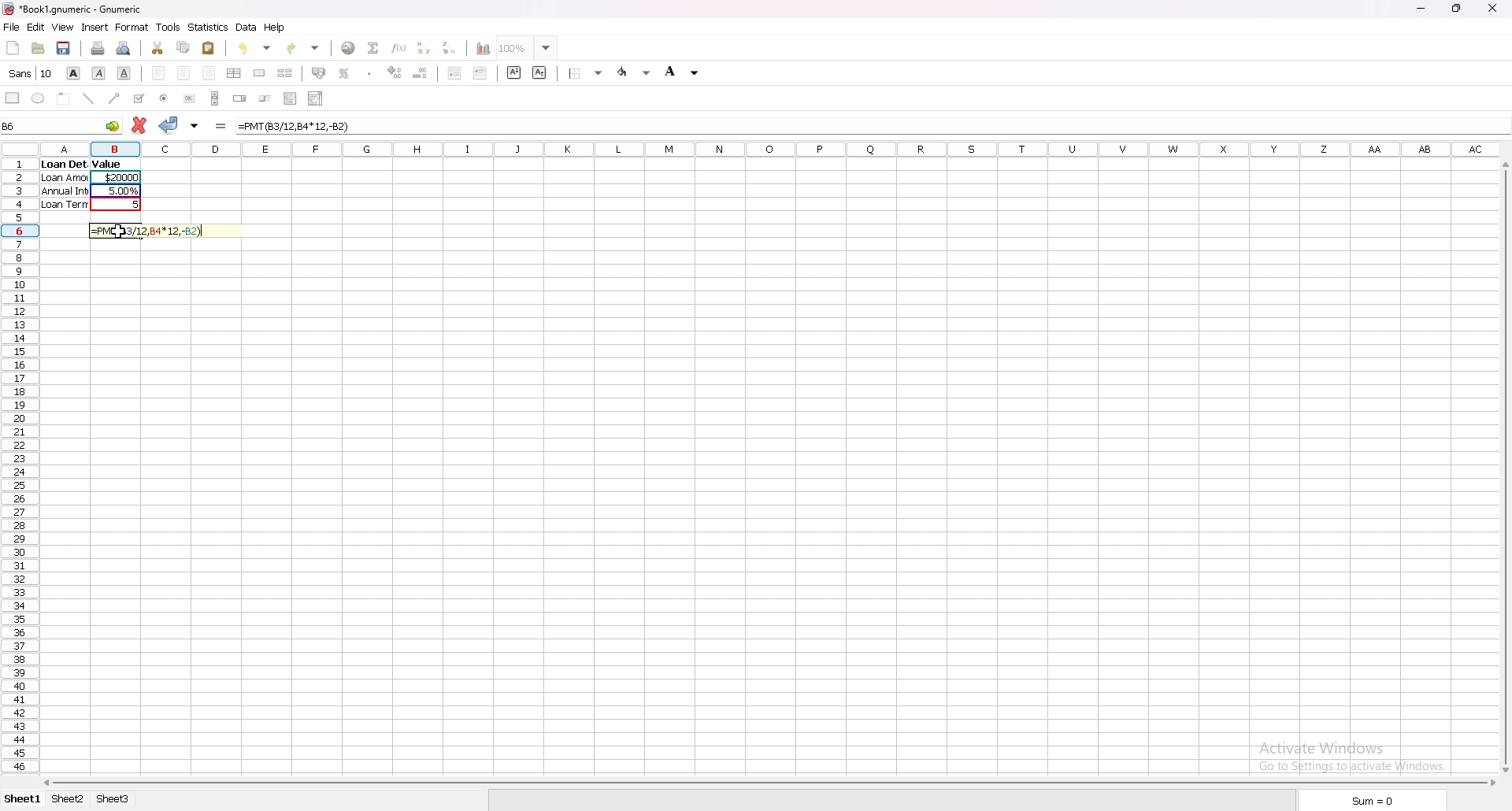 This screenshot has height=811, width=1512. I want to click on accounting, so click(317, 72).